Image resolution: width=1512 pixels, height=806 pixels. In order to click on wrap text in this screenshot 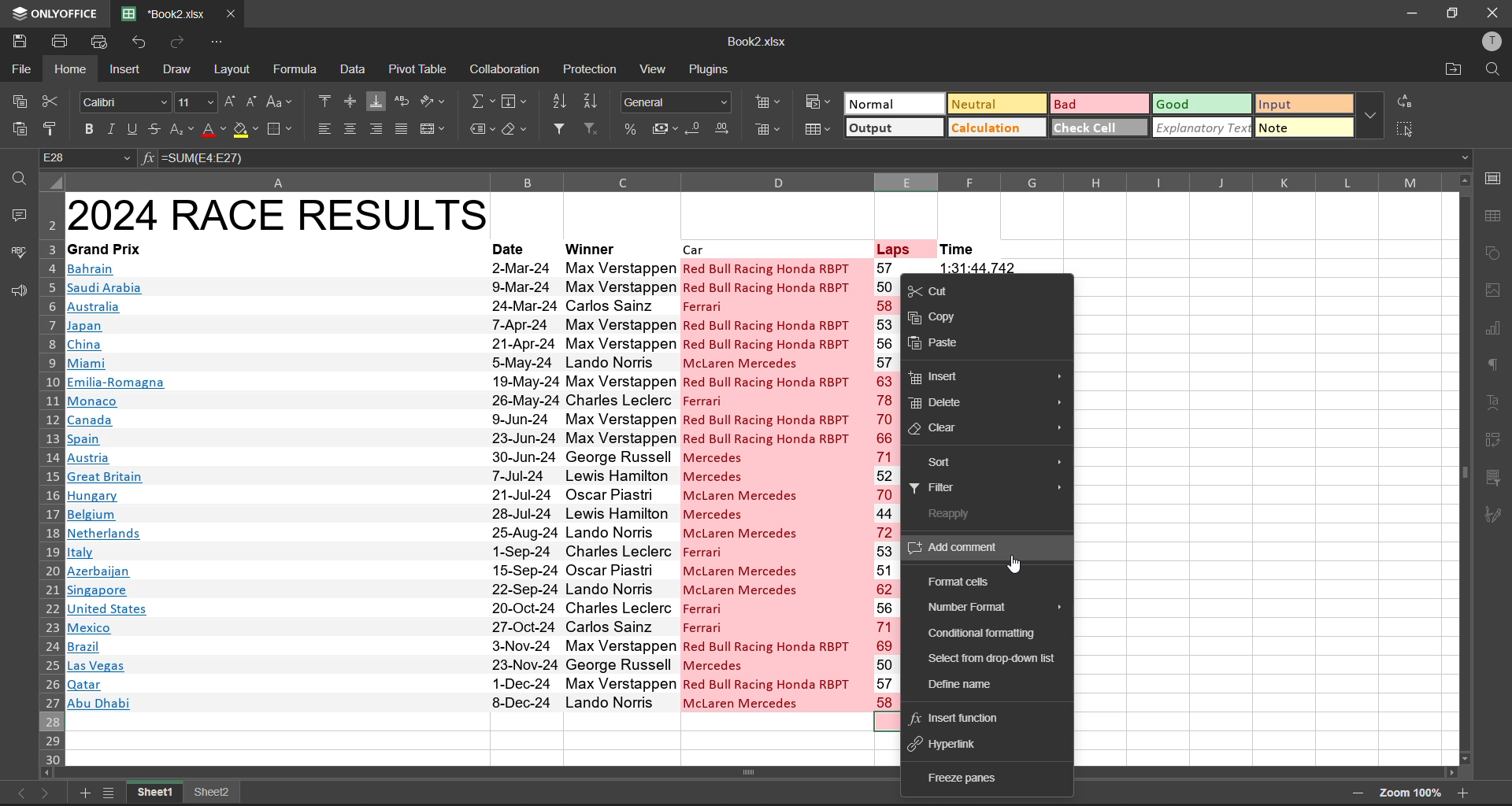, I will do `click(406, 100)`.